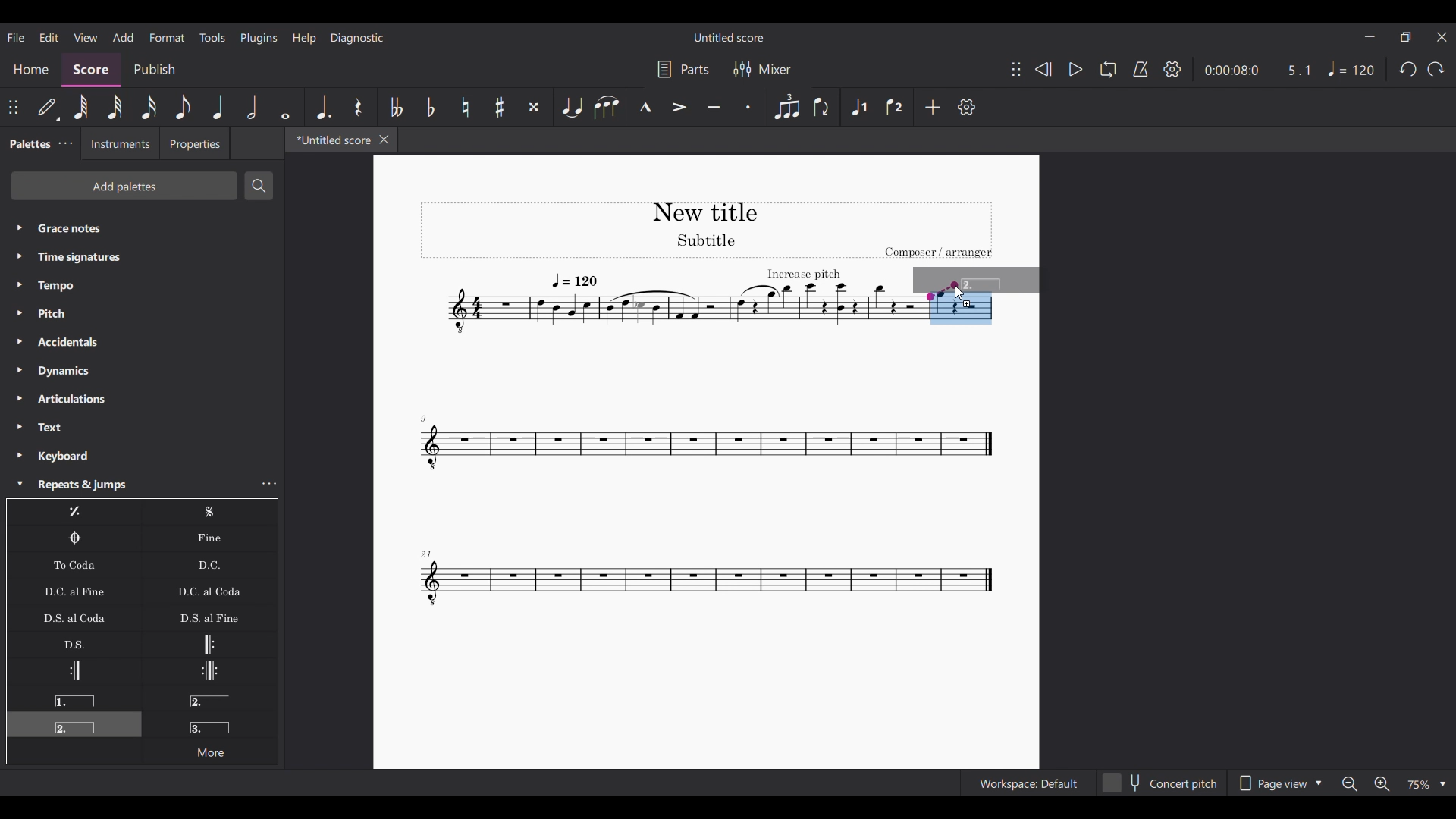 The height and width of the screenshot is (819, 1456). I want to click on Toggle natural, so click(465, 107).